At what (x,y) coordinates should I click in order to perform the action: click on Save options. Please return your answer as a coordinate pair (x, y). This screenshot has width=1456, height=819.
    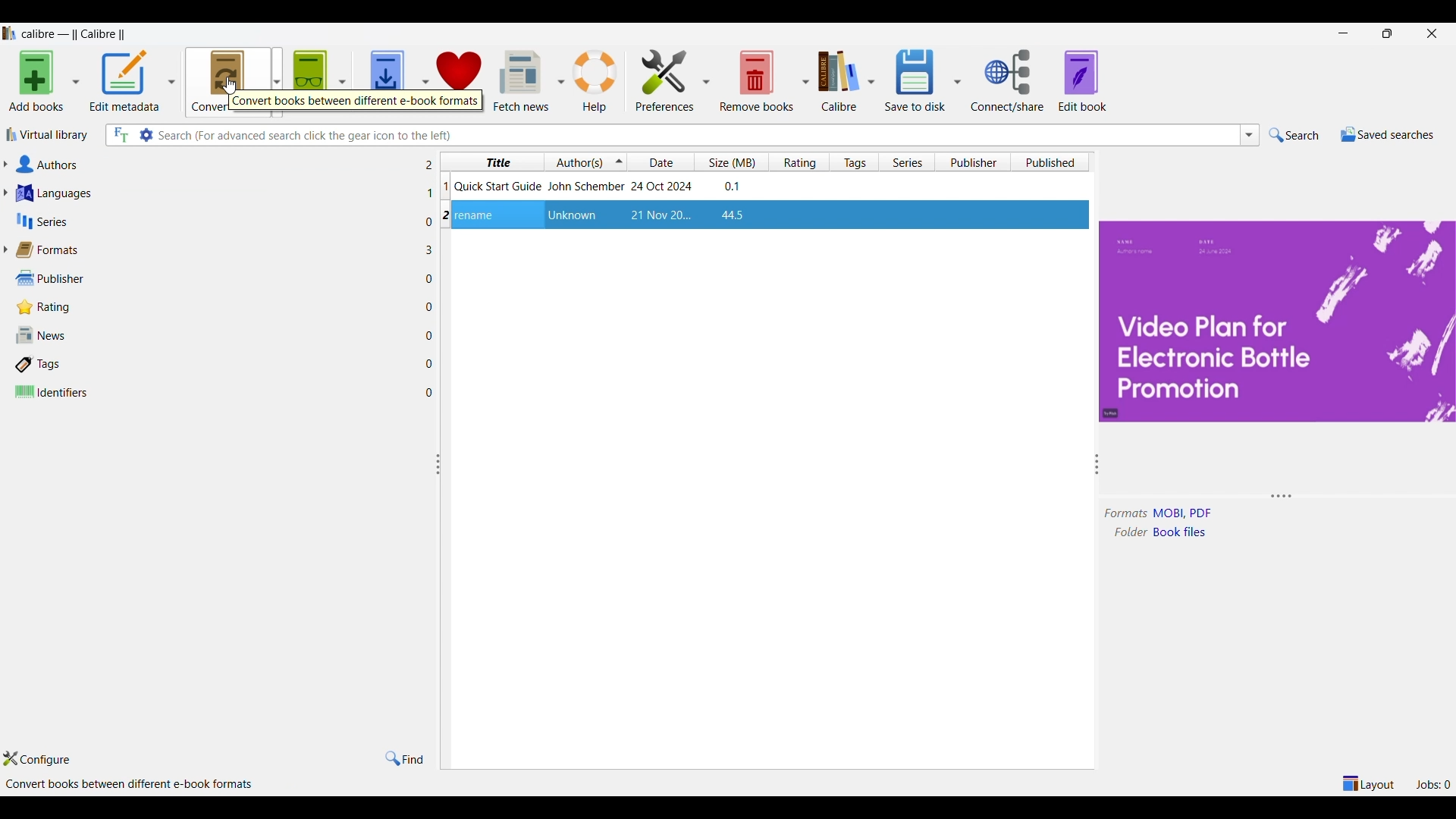
    Looking at the image, I should click on (957, 80).